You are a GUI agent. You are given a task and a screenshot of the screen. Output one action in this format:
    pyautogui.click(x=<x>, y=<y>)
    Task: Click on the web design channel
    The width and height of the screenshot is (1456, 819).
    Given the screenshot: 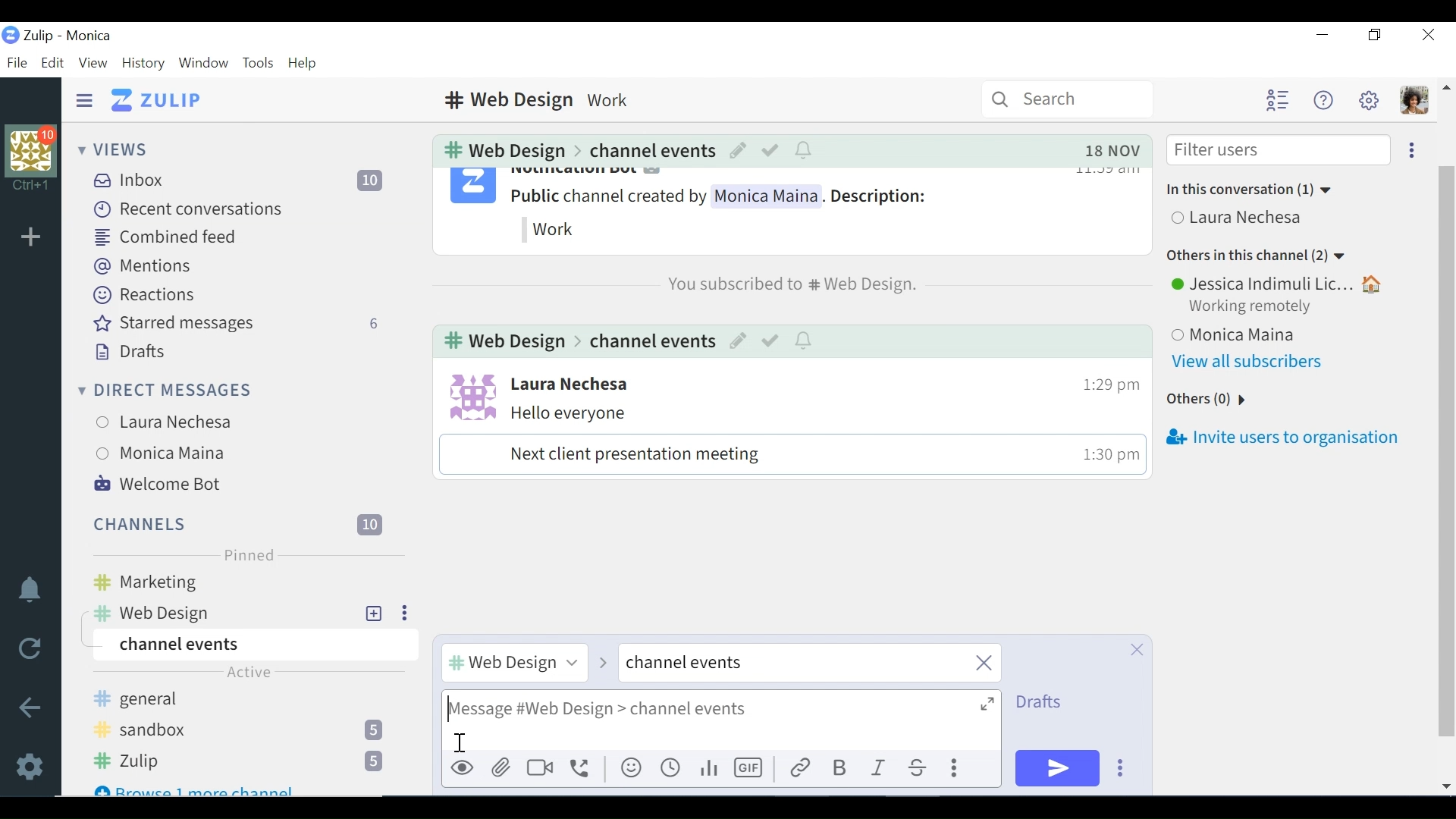 What is the action you would take?
    pyautogui.click(x=502, y=343)
    